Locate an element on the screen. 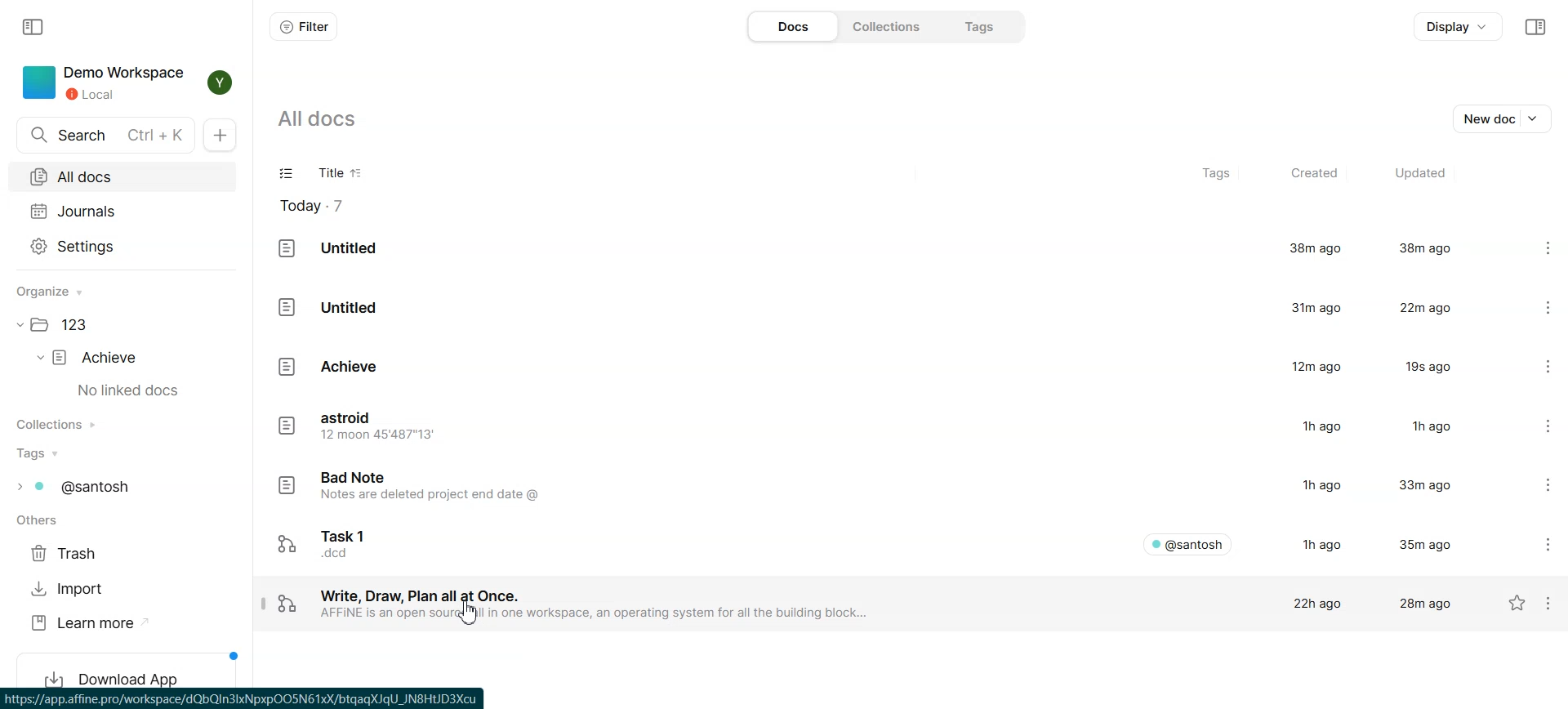  Doc File is located at coordinates (853, 603).